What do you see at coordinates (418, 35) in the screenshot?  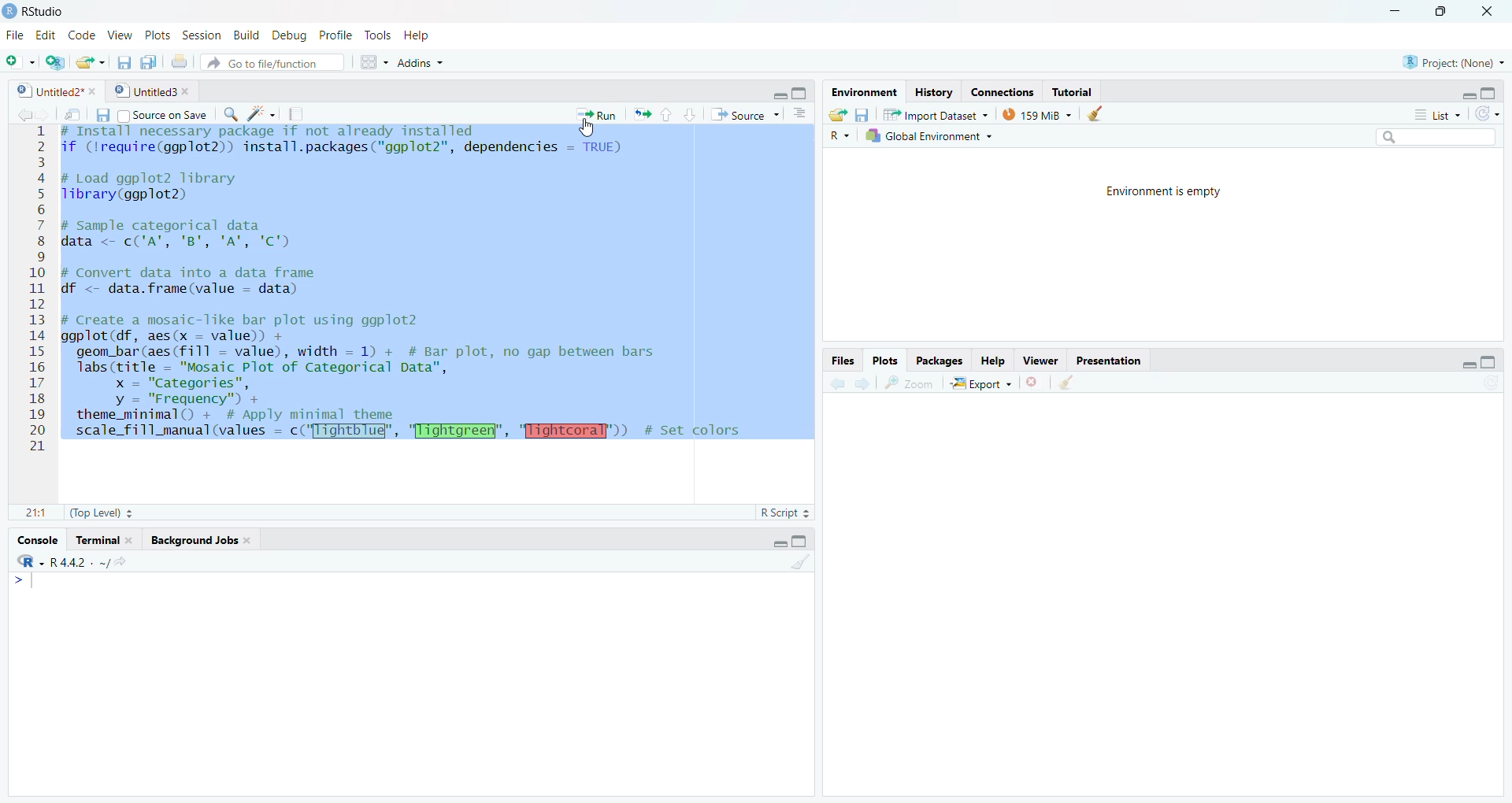 I see `Help` at bounding box center [418, 35].